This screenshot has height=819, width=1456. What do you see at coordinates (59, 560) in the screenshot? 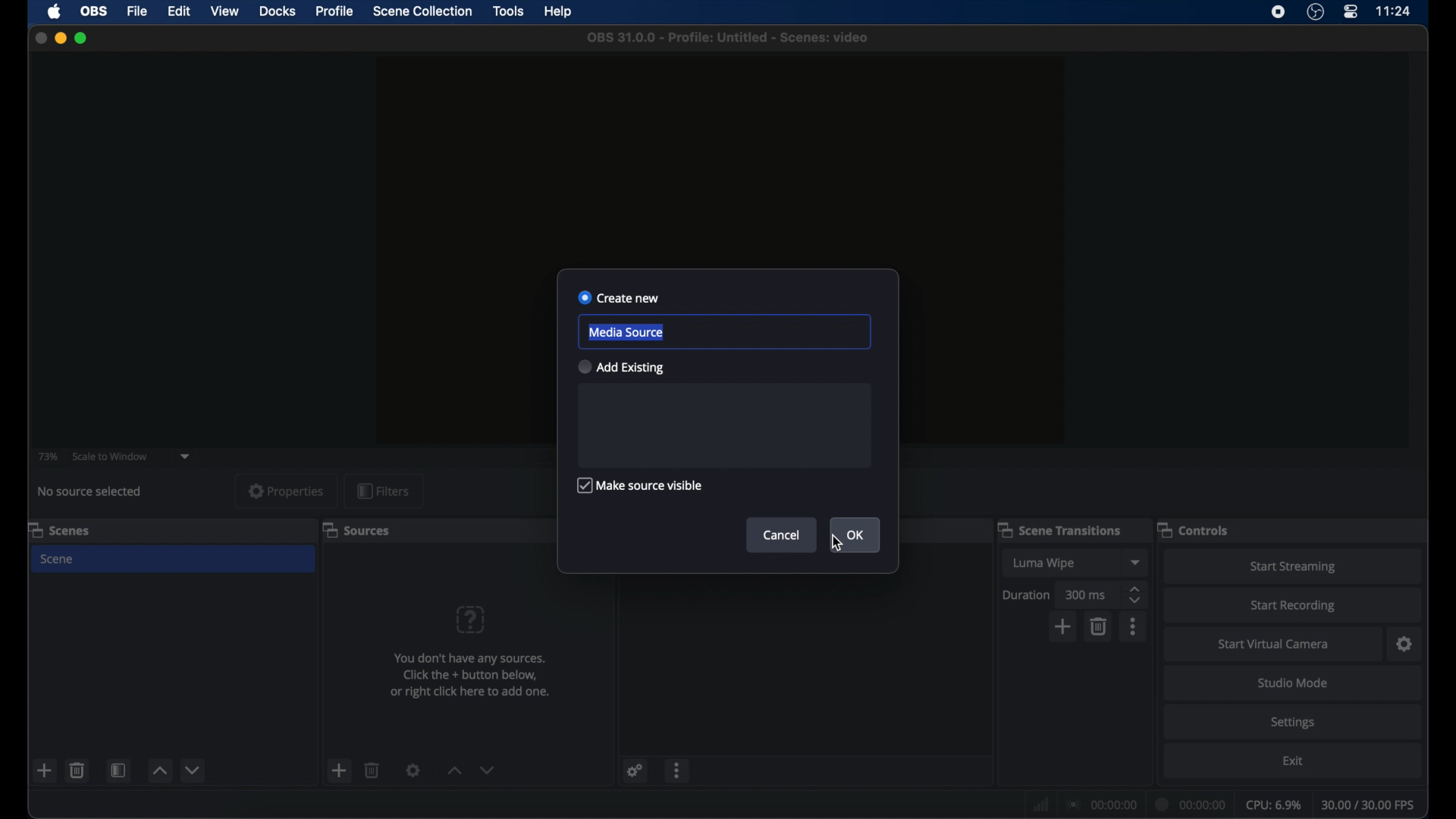
I see `scene` at bounding box center [59, 560].